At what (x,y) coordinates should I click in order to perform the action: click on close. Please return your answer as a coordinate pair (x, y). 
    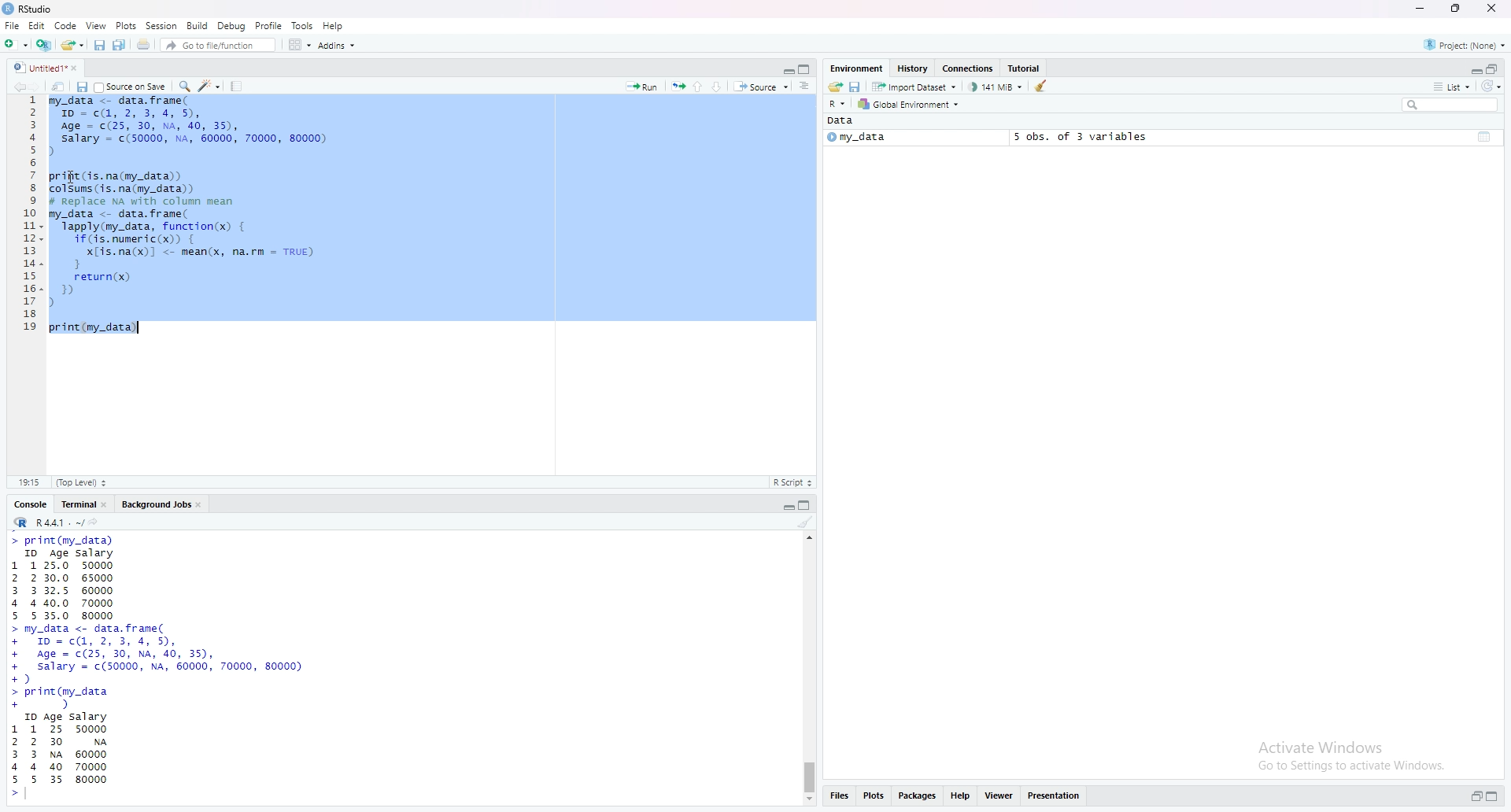
    Looking at the image, I should click on (1494, 8).